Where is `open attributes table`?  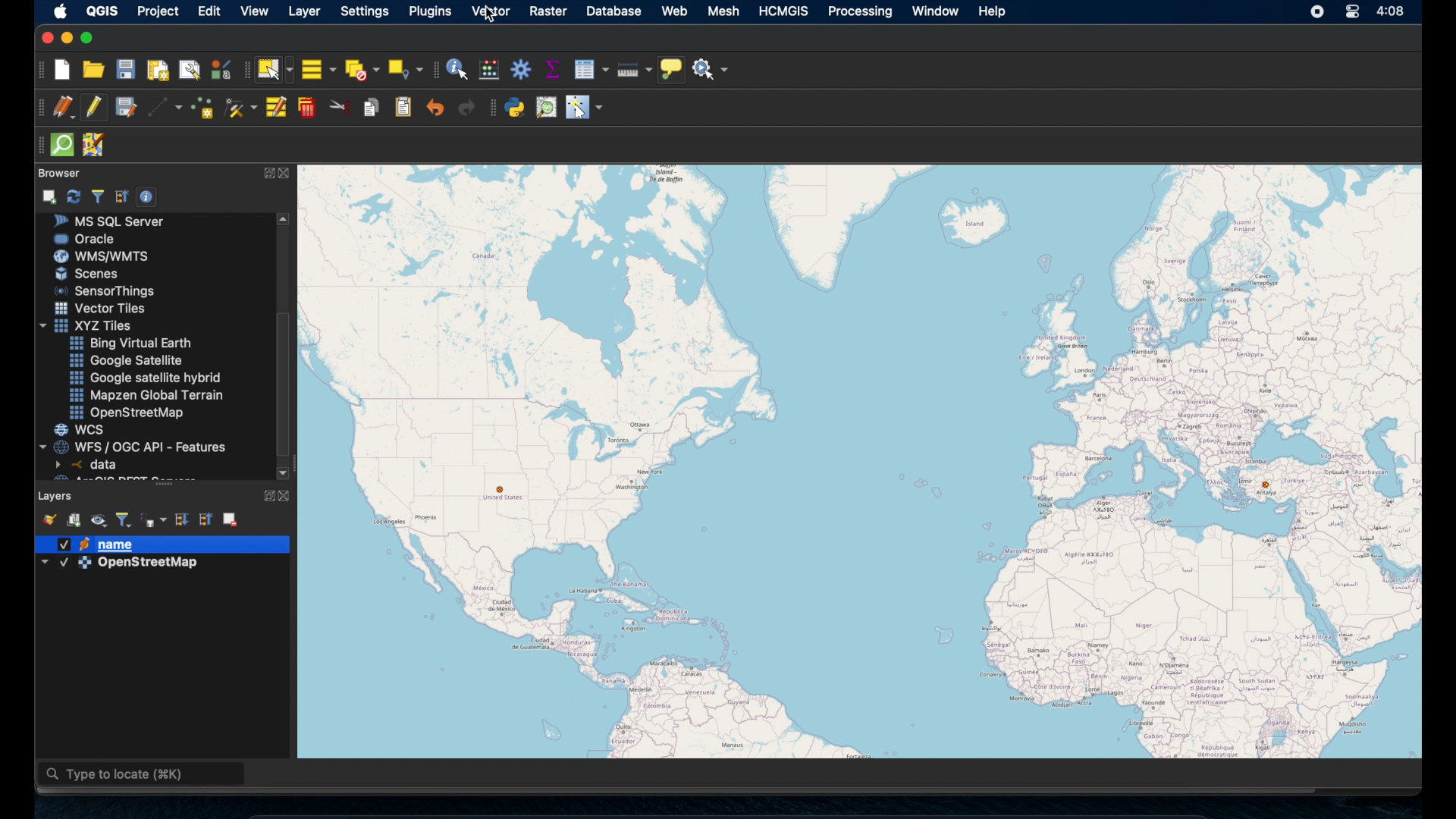 open attributes table is located at coordinates (591, 67).